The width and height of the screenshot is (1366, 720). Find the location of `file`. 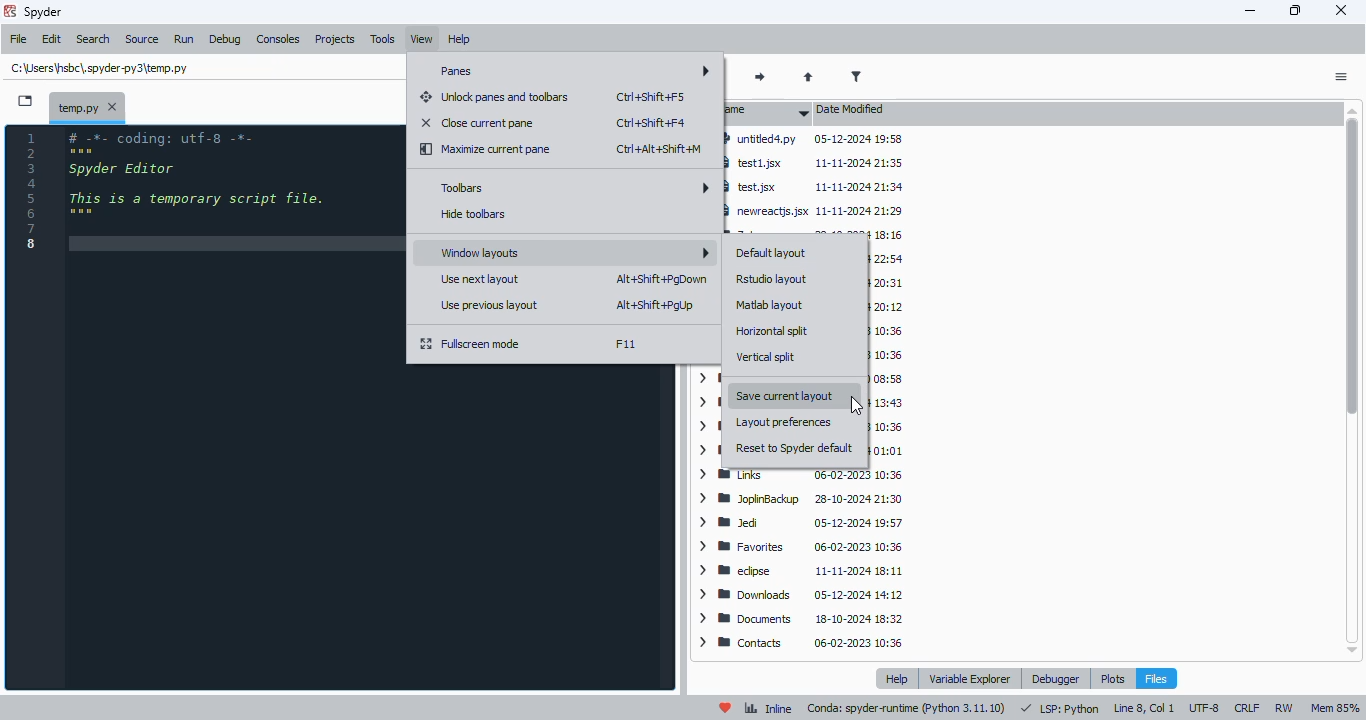

file is located at coordinates (20, 40).